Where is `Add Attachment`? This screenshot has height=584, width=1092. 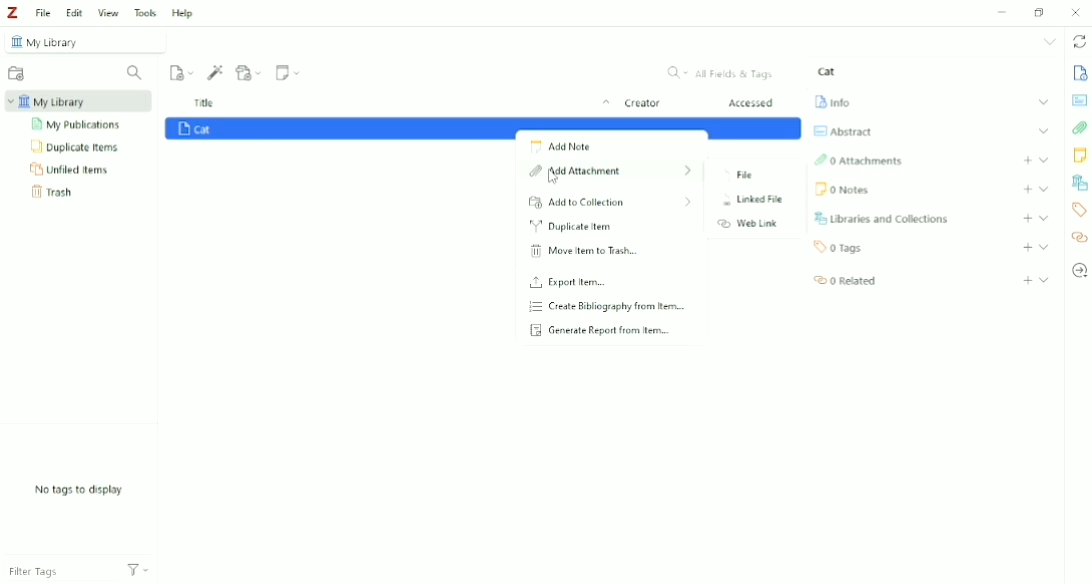
Add Attachment is located at coordinates (610, 173).